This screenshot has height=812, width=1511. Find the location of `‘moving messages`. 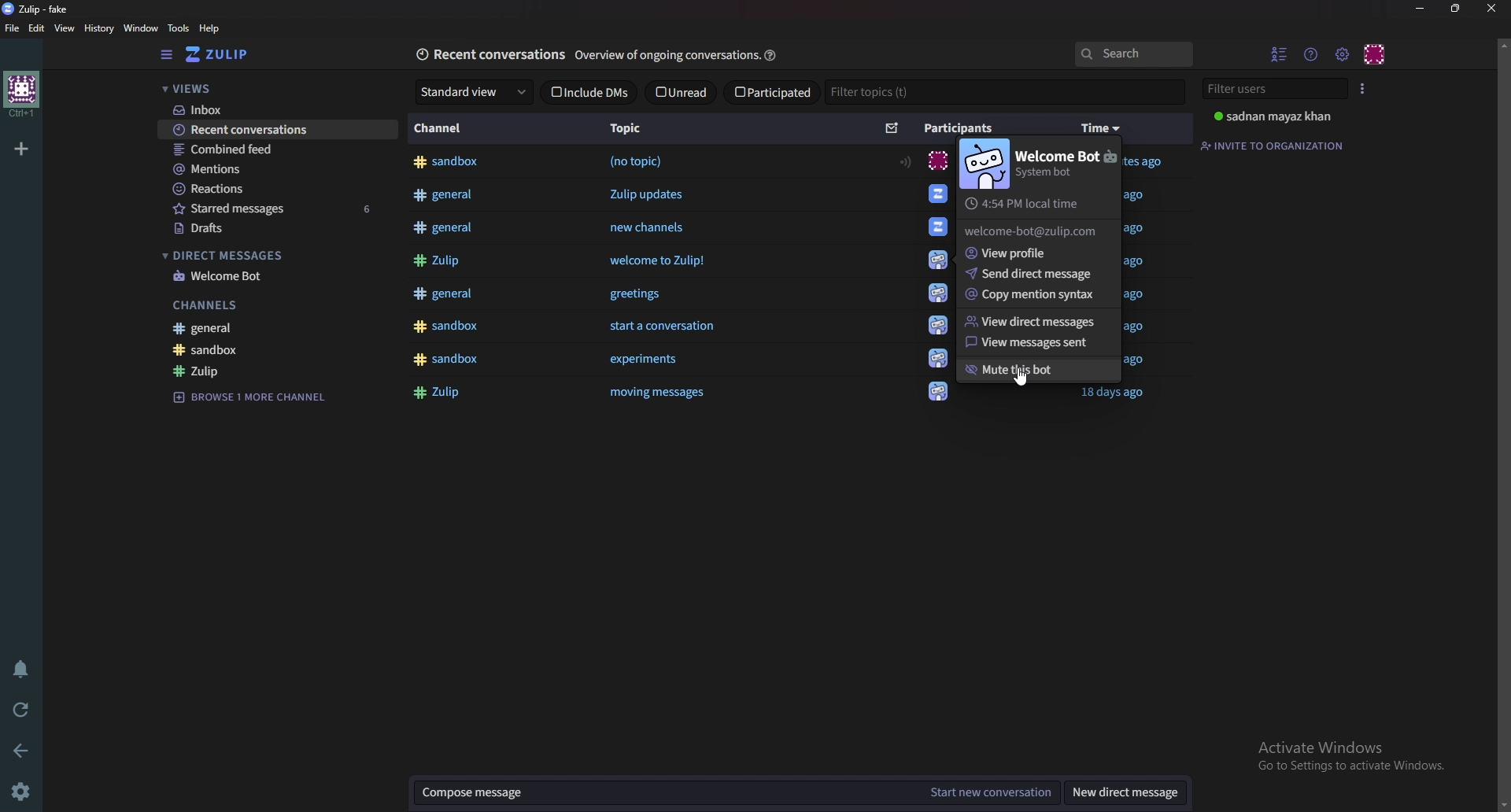

‘moving messages is located at coordinates (659, 394).